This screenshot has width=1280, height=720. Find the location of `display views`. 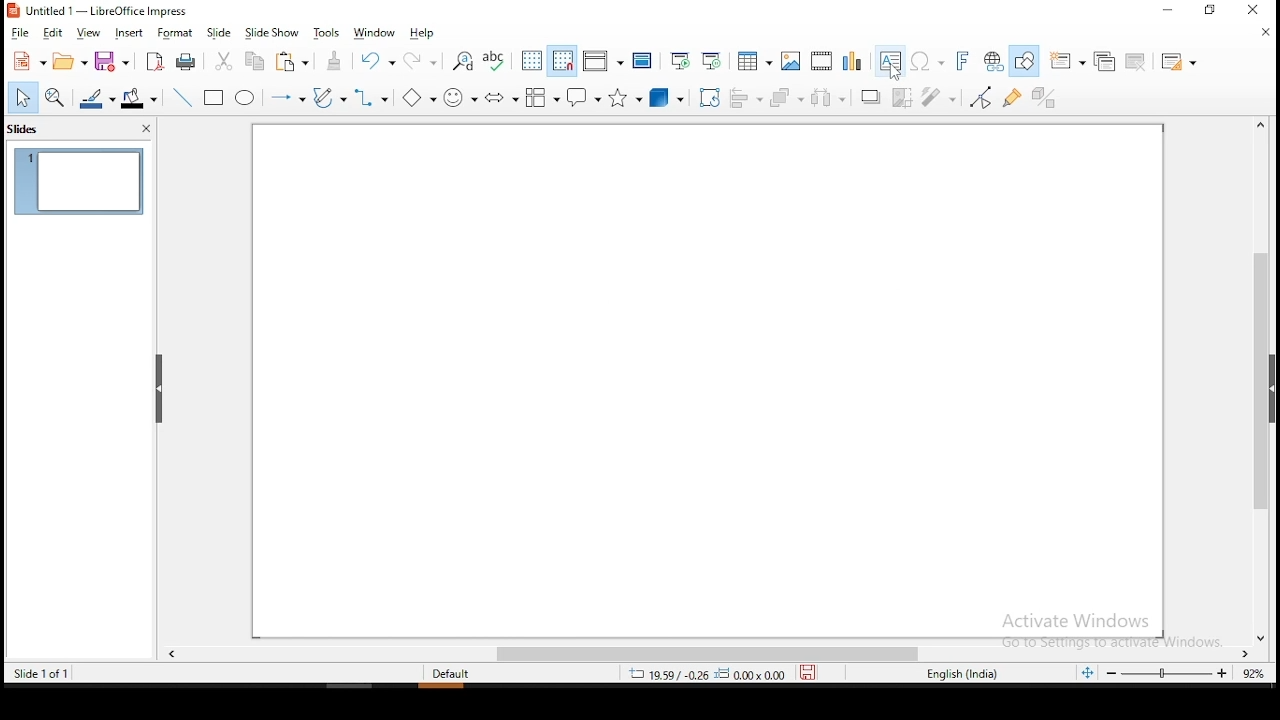

display views is located at coordinates (601, 58).